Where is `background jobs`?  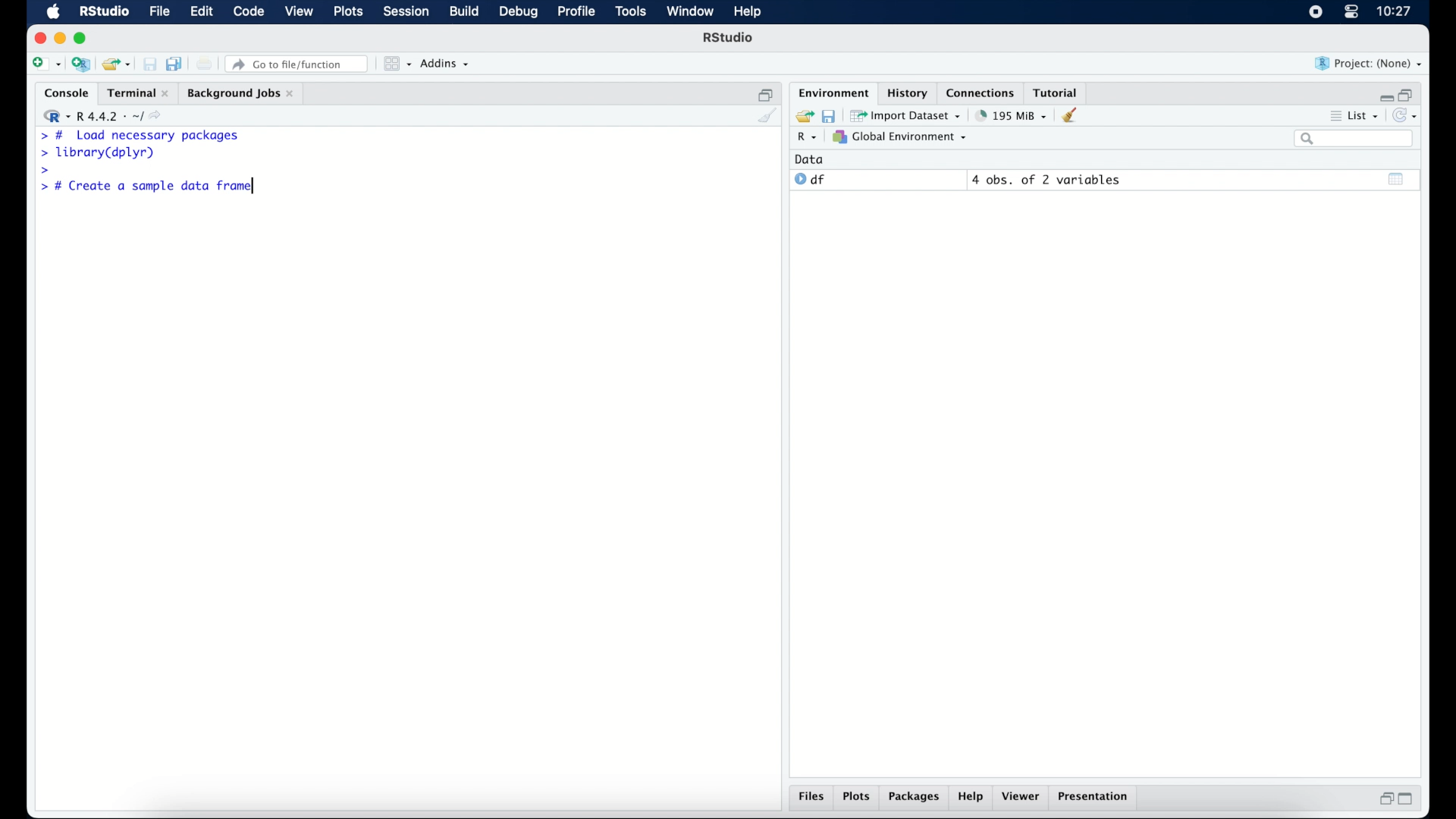 background jobs is located at coordinates (240, 93).